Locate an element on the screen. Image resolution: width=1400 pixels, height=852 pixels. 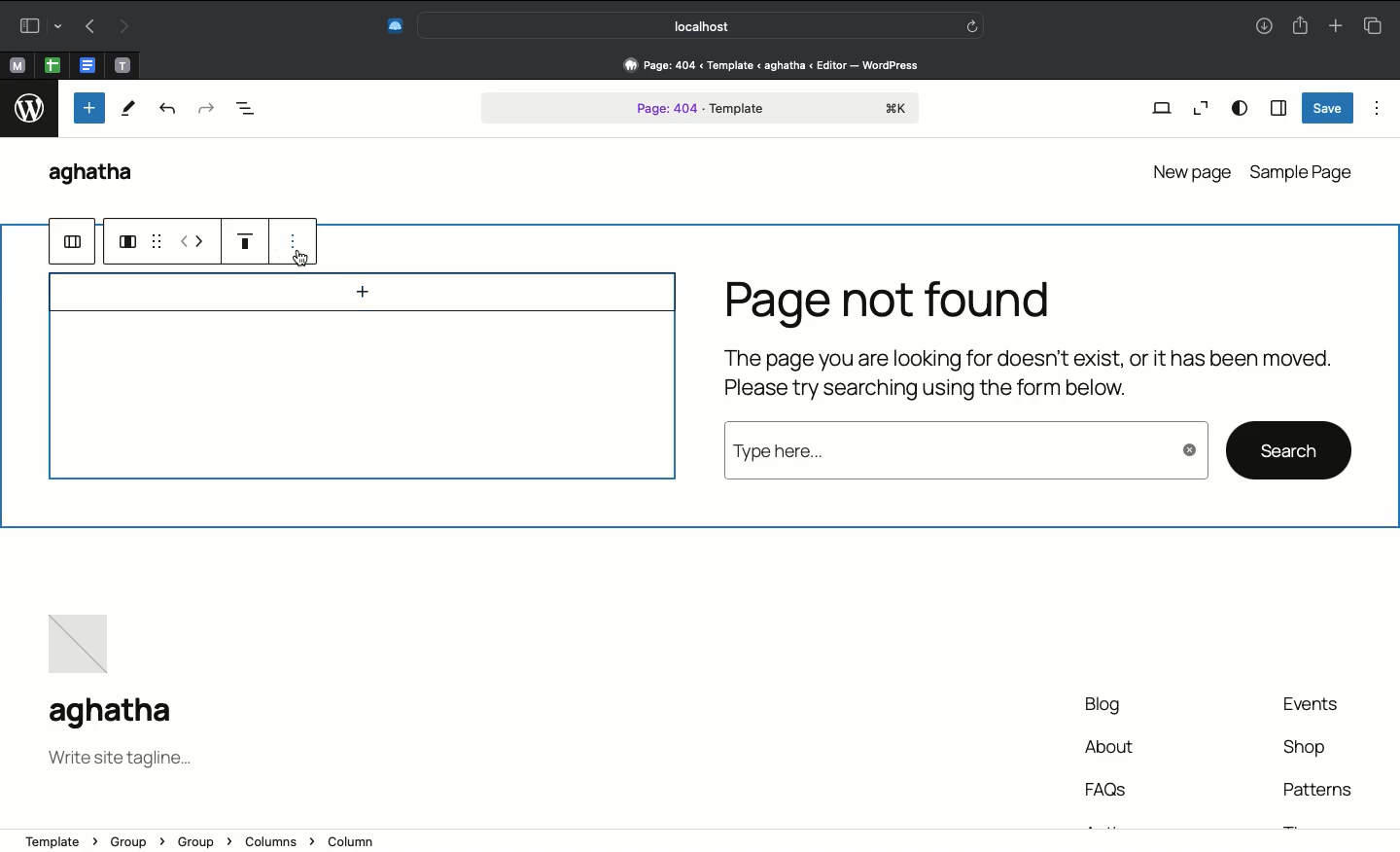
ungroup is located at coordinates (69, 243).